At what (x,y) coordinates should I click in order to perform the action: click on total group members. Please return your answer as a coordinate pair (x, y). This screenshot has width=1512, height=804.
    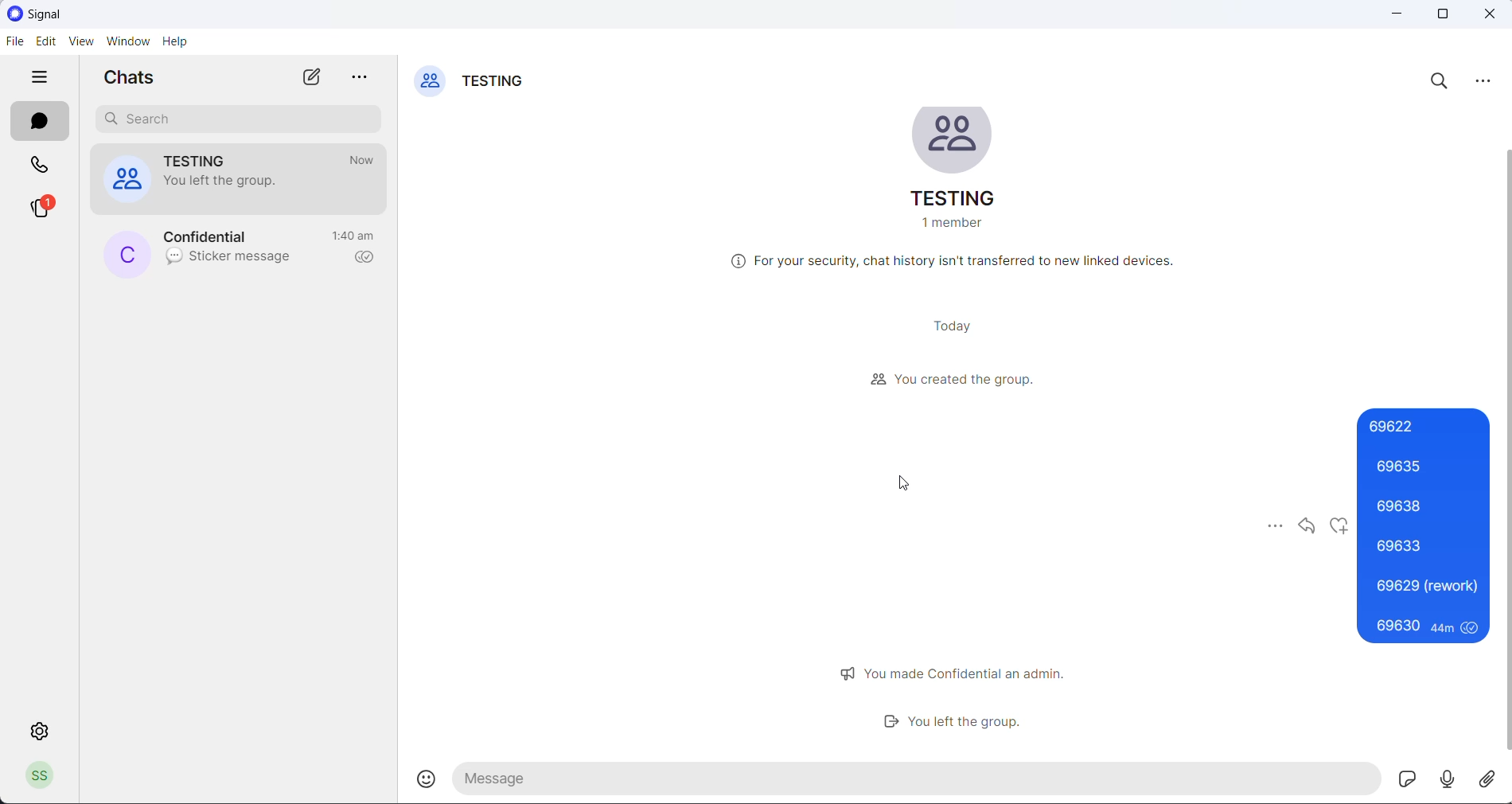
    Looking at the image, I should click on (955, 228).